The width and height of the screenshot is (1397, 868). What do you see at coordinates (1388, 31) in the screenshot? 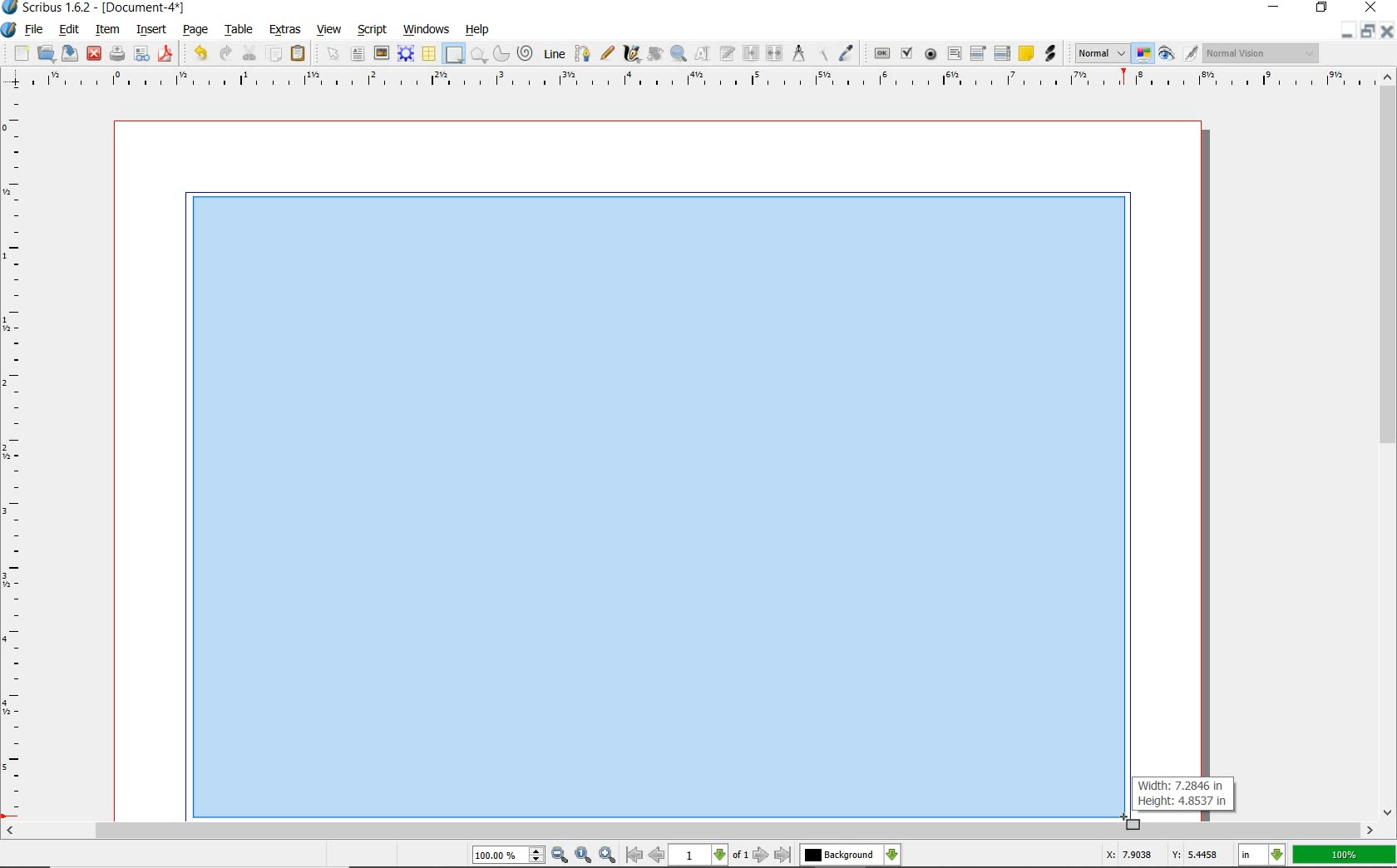
I see `close` at bounding box center [1388, 31].